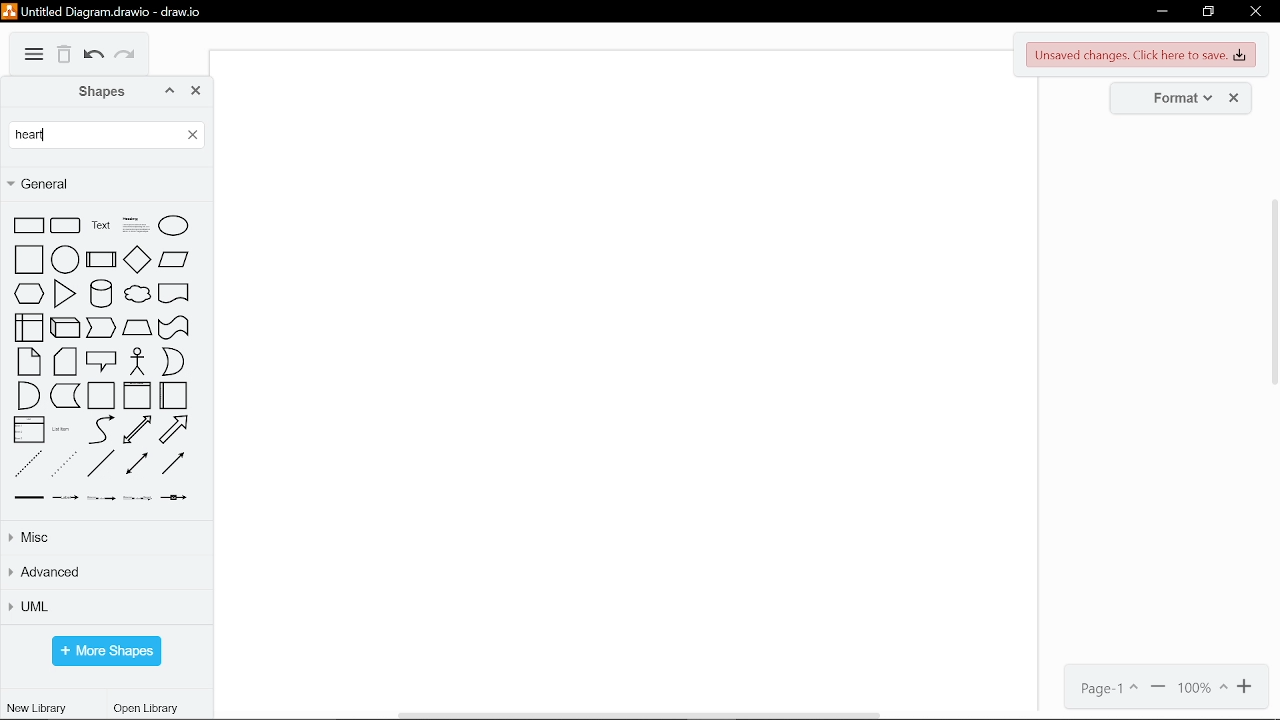  What do you see at coordinates (103, 183) in the screenshot?
I see `general` at bounding box center [103, 183].